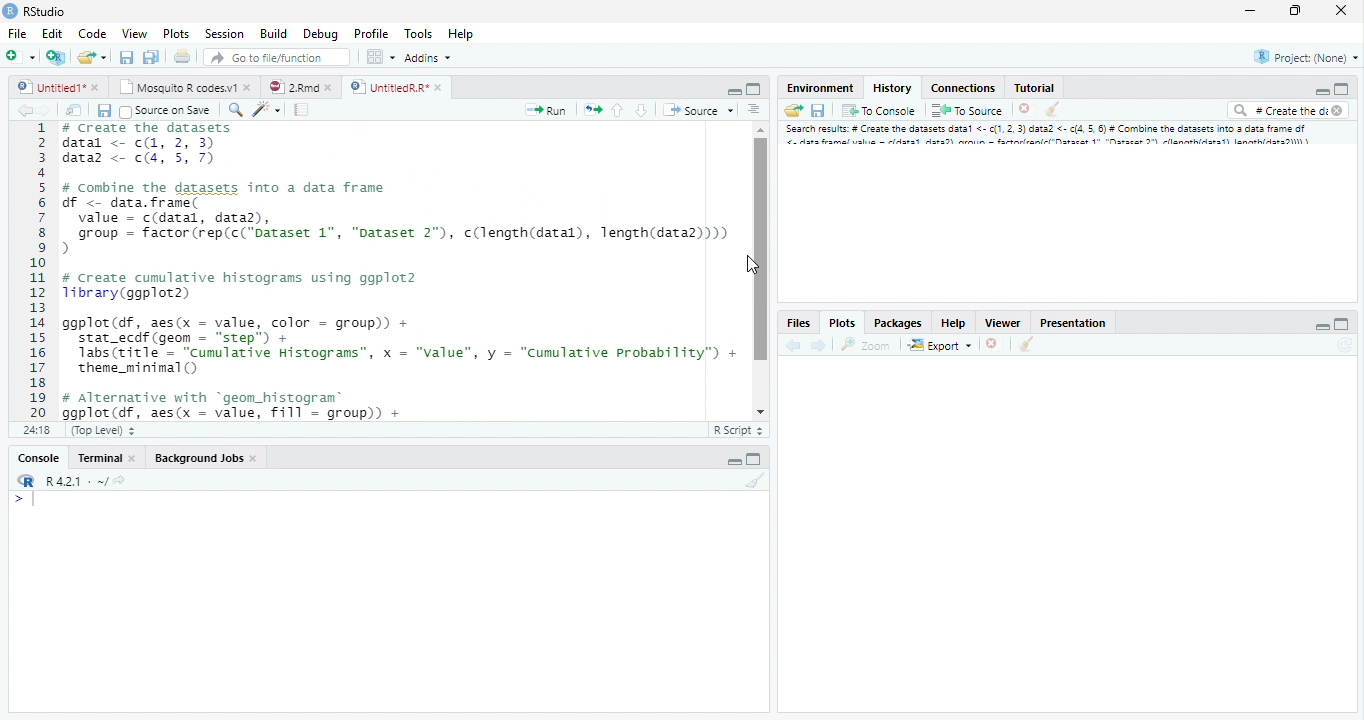 This screenshot has height=720, width=1364. What do you see at coordinates (641, 111) in the screenshot?
I see `Go to the next section/chunk` at bounding box center [641, 111].